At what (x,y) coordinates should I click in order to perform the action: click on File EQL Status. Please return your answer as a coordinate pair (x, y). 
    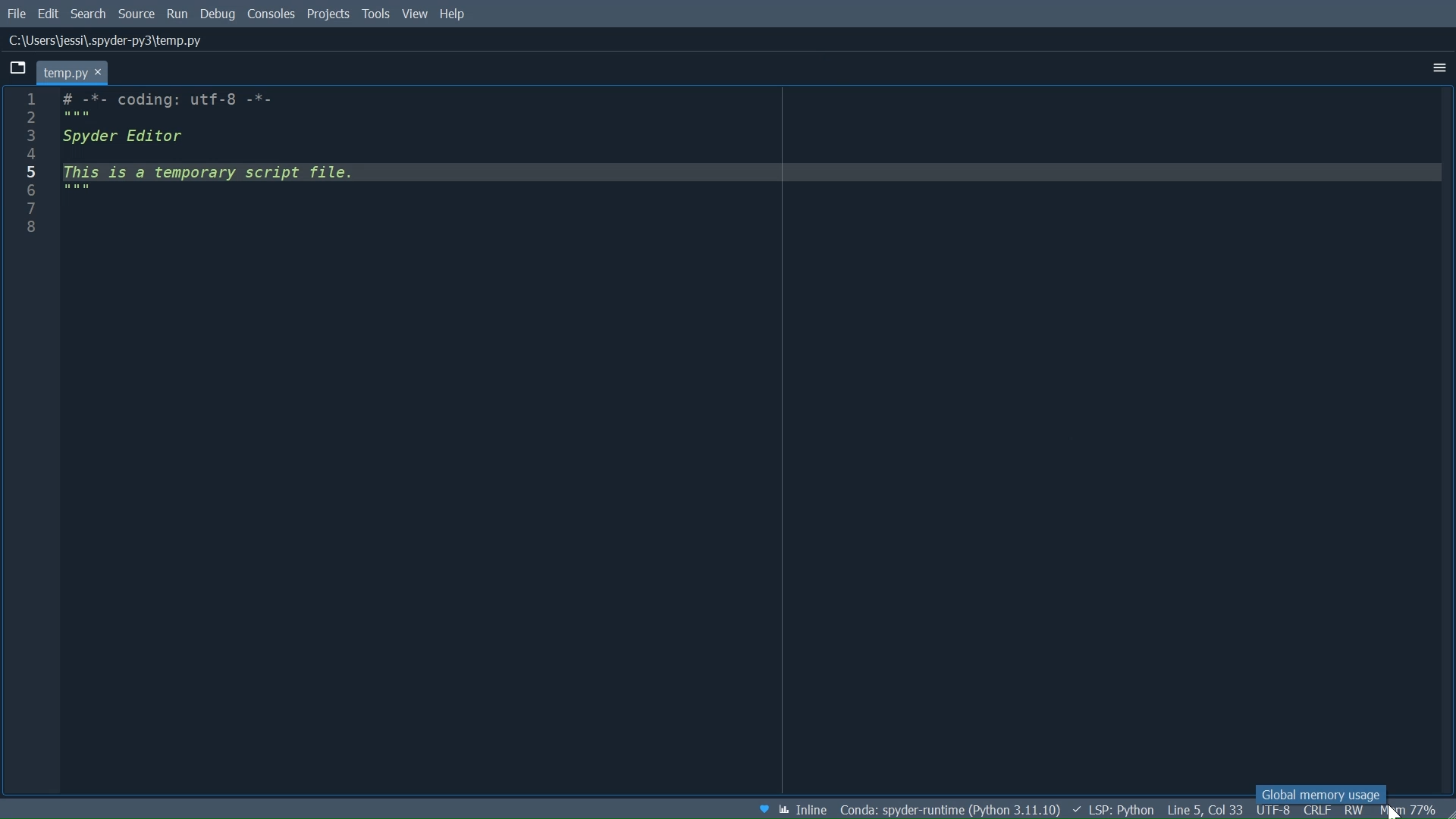
    Looking at the image, I should click on (1316, 810).